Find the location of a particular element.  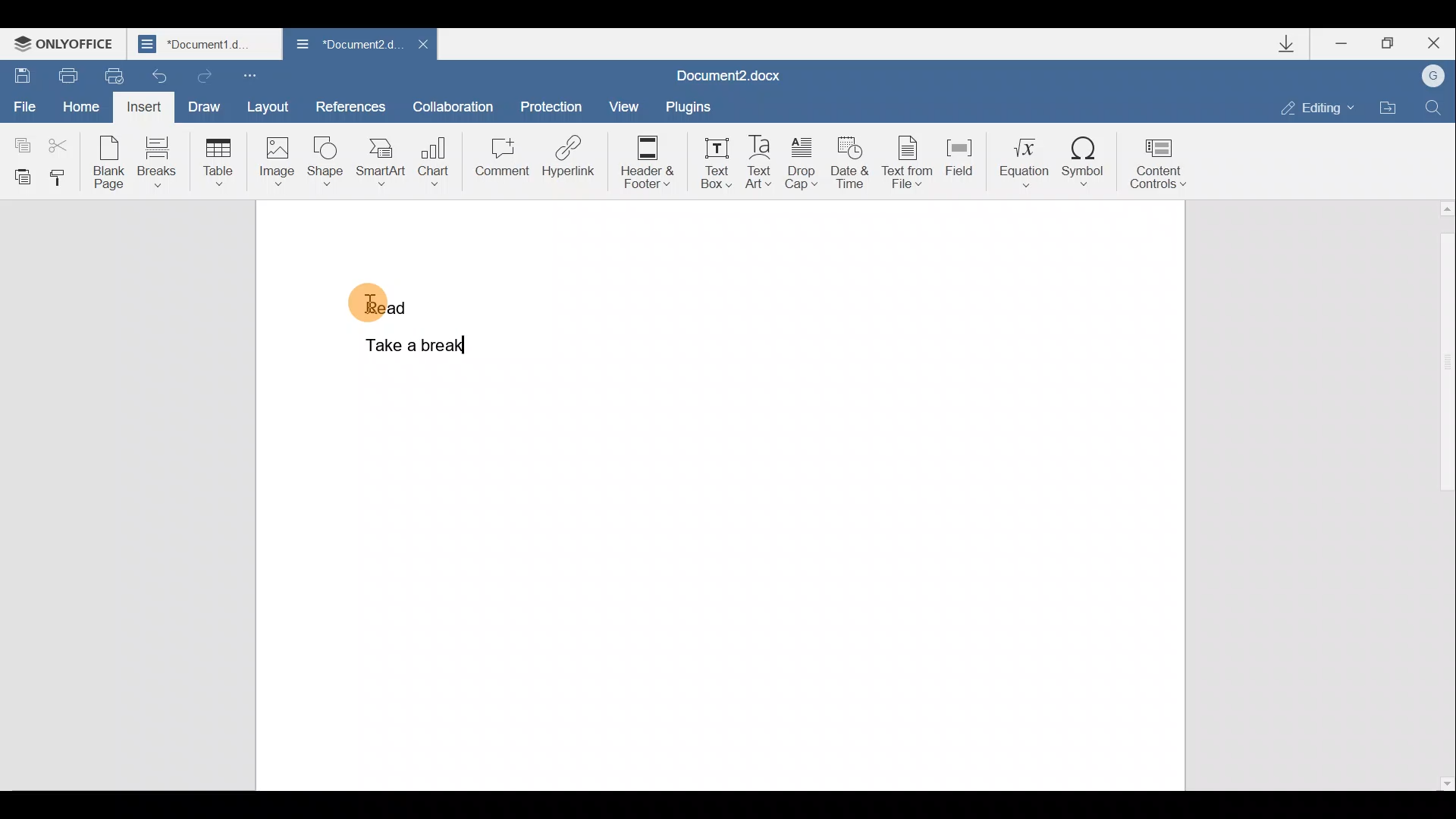

Text Art is located at coordinates (760, 163).